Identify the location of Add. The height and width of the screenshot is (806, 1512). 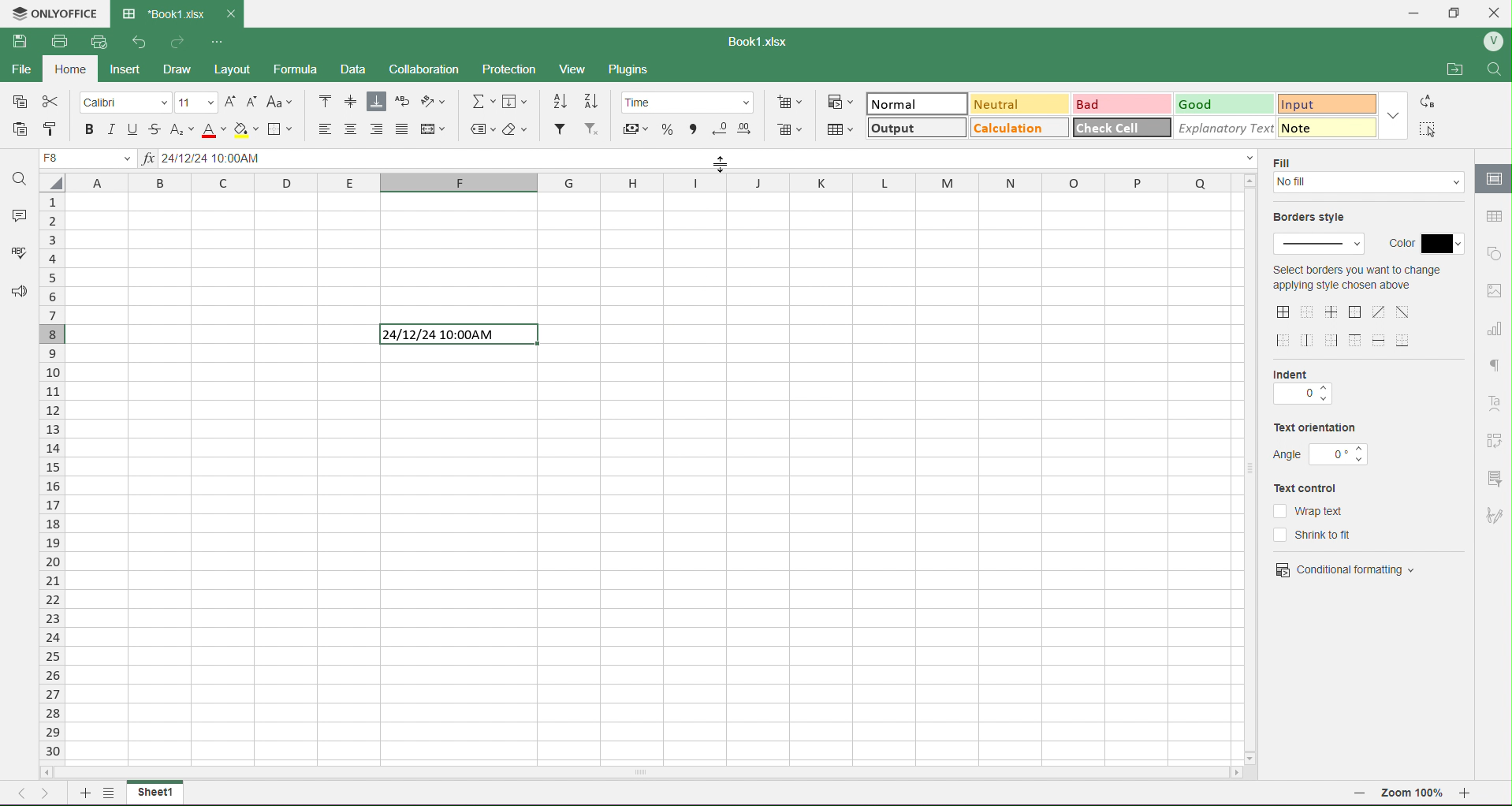
(81, 792).